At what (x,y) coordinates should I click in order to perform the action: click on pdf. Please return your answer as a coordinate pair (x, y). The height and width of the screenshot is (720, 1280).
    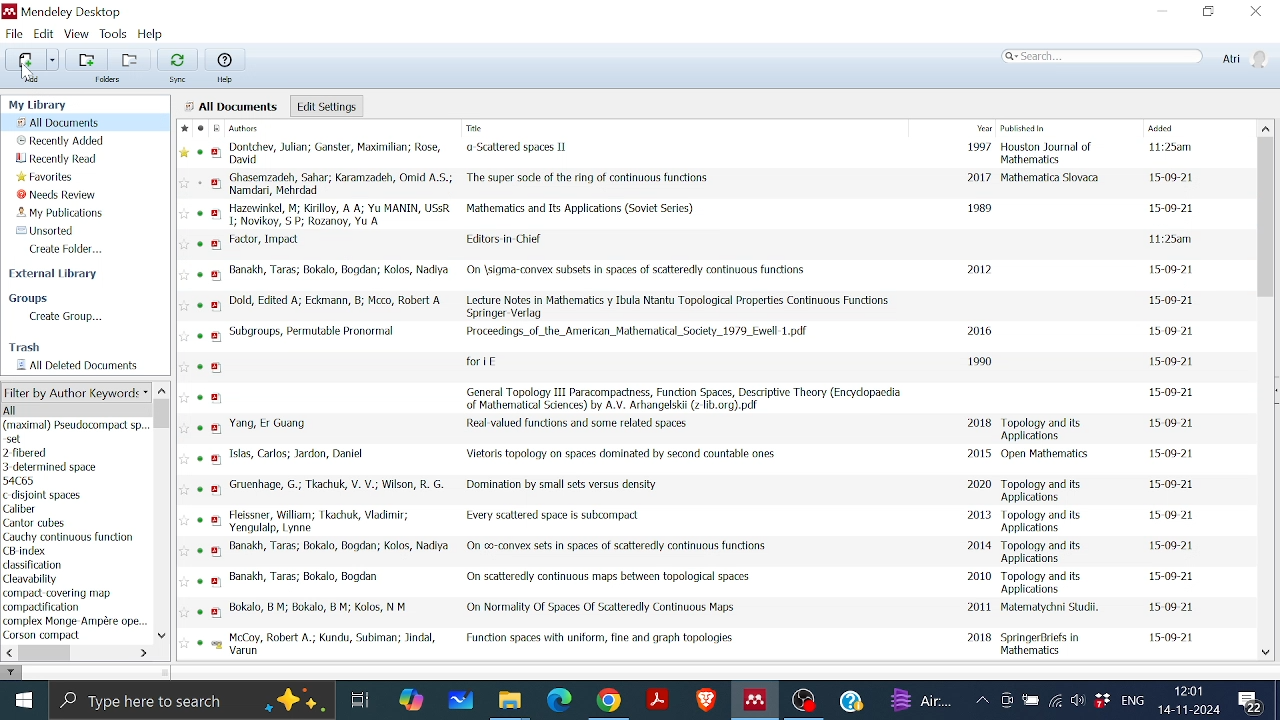
    Looking at the image, I should click on (220, 153).